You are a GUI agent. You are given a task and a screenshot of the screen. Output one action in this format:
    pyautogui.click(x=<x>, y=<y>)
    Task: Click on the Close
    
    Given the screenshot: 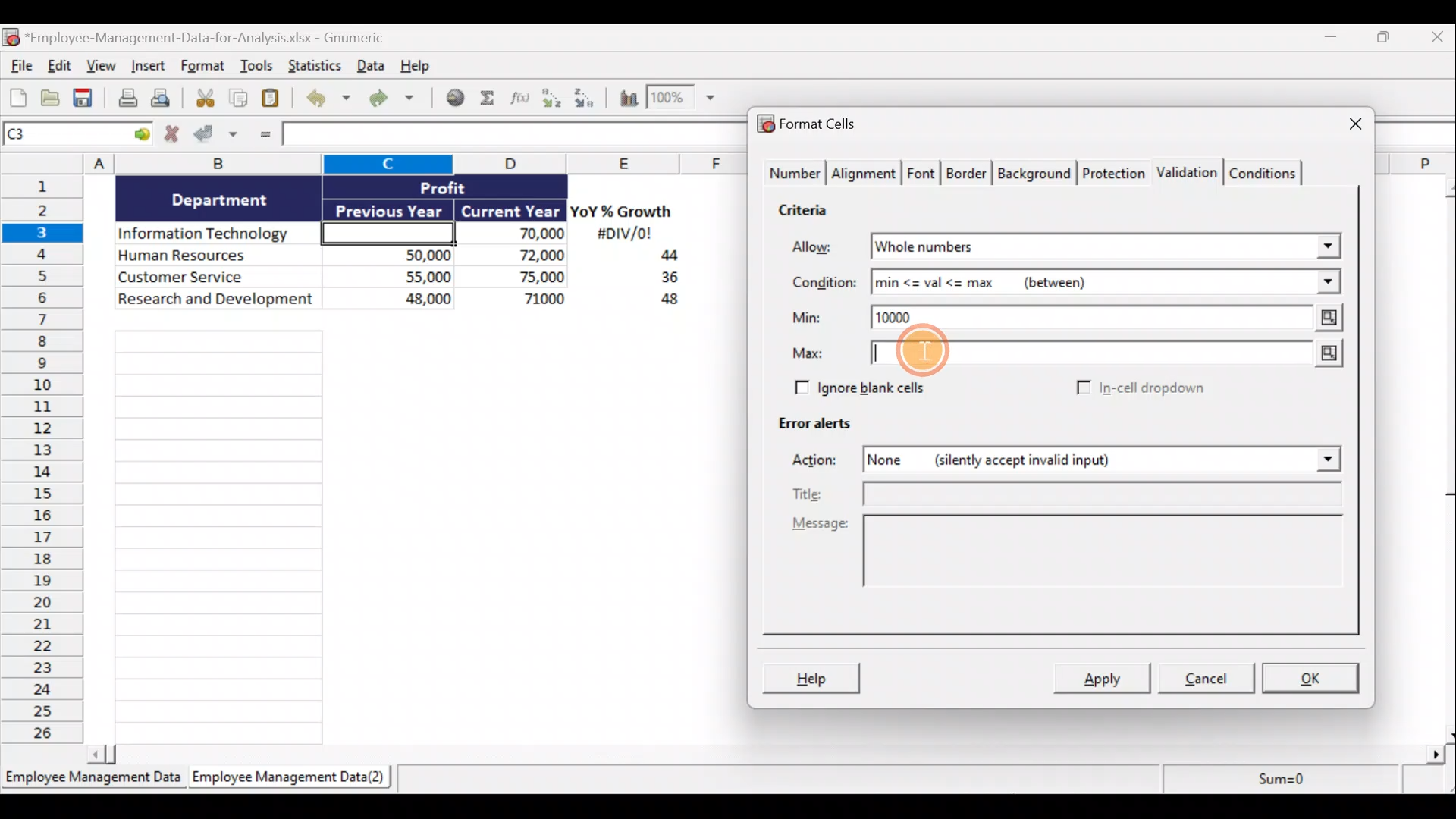 What is the action you would take?
    pyautogui.click(x=1434, y=40)
    